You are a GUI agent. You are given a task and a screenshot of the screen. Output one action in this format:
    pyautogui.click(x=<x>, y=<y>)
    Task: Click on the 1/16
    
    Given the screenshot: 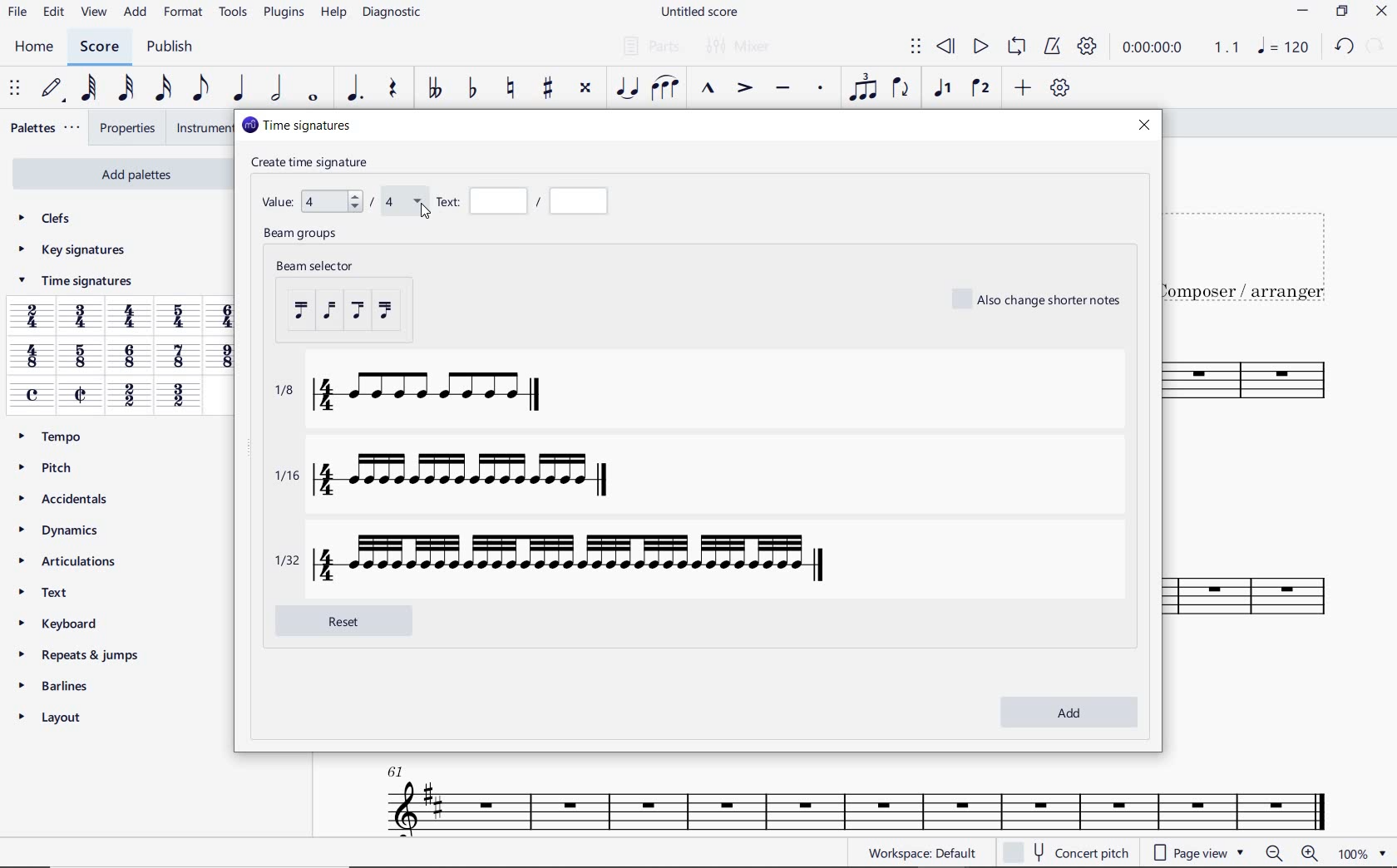 What is the action you would take?
    pyautogui.click(x=469, y=477)
    